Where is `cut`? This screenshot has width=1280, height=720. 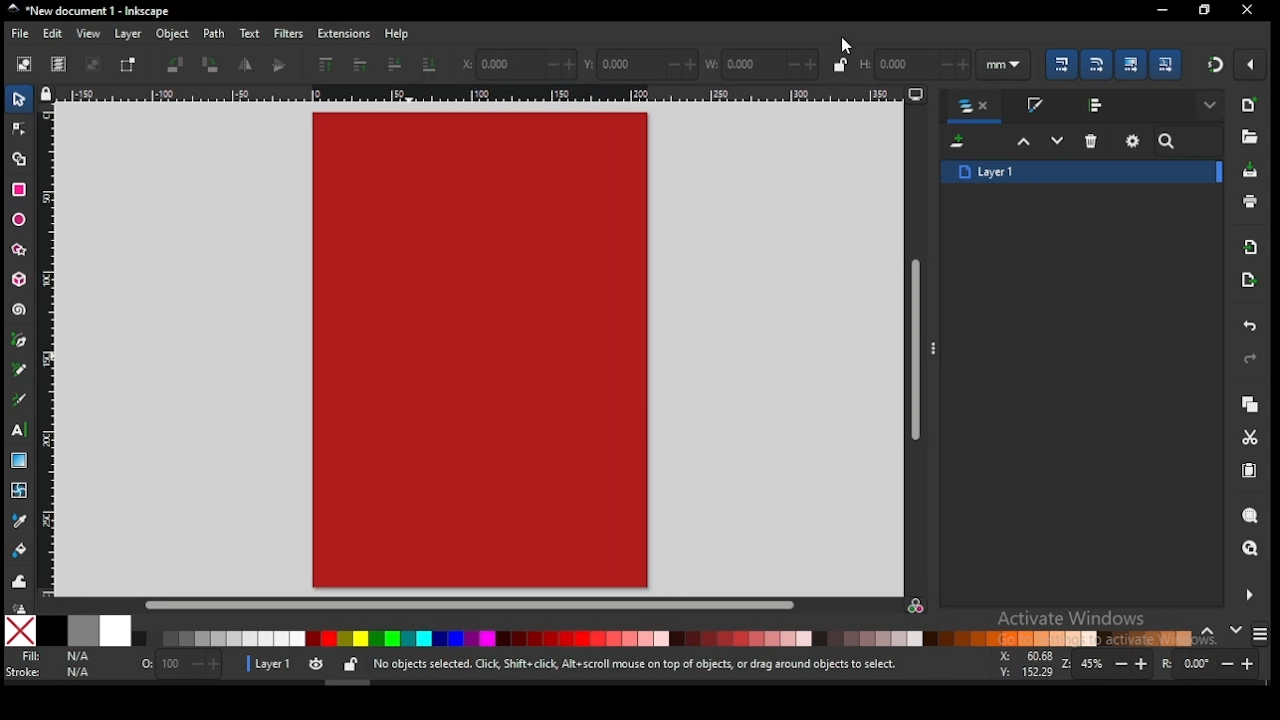
cut is located at coordinates (1250, 437).